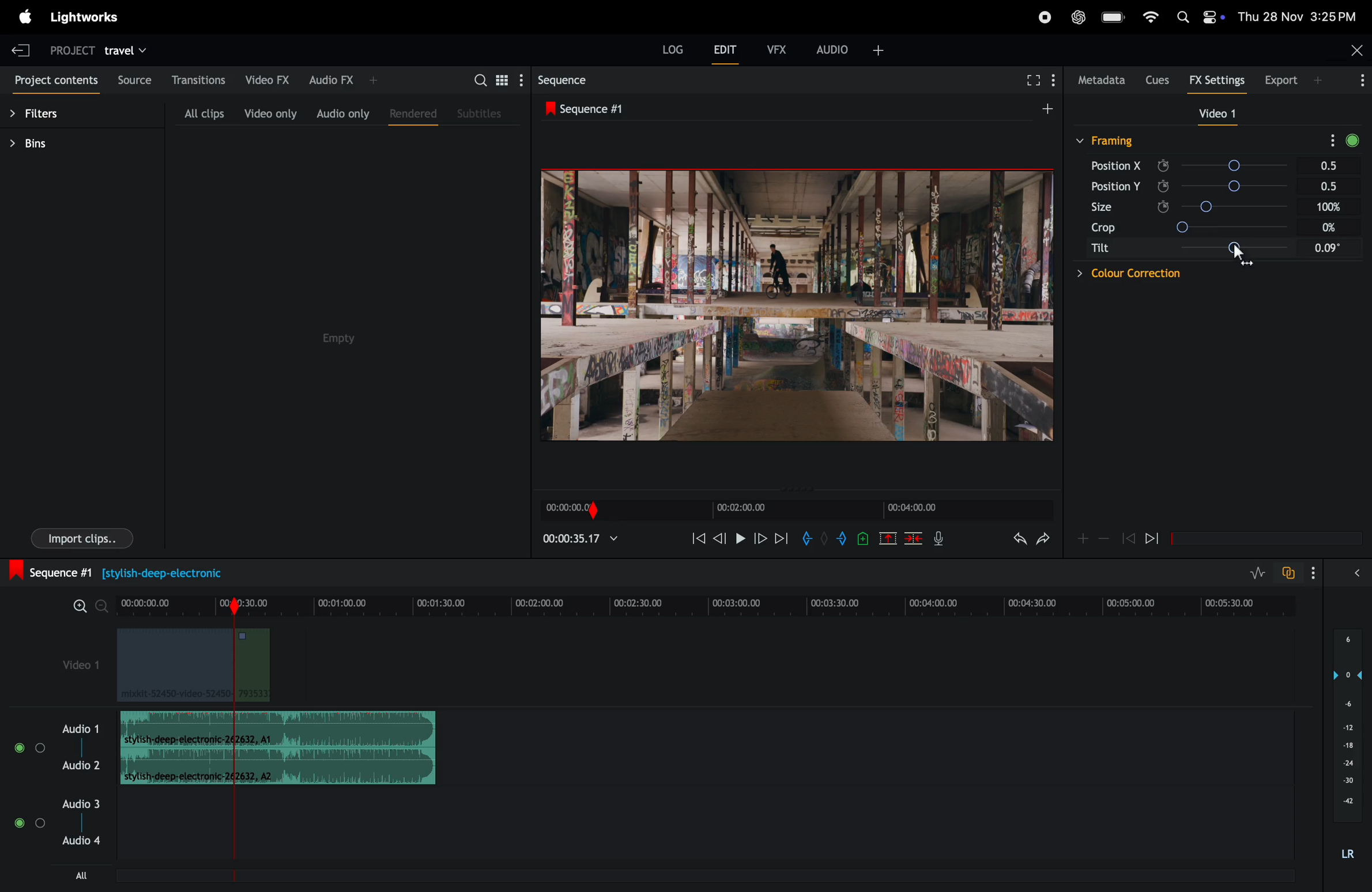 The width and height of the screenshot is (1372, 892). I want to click on video Fx, so click(266, 78).